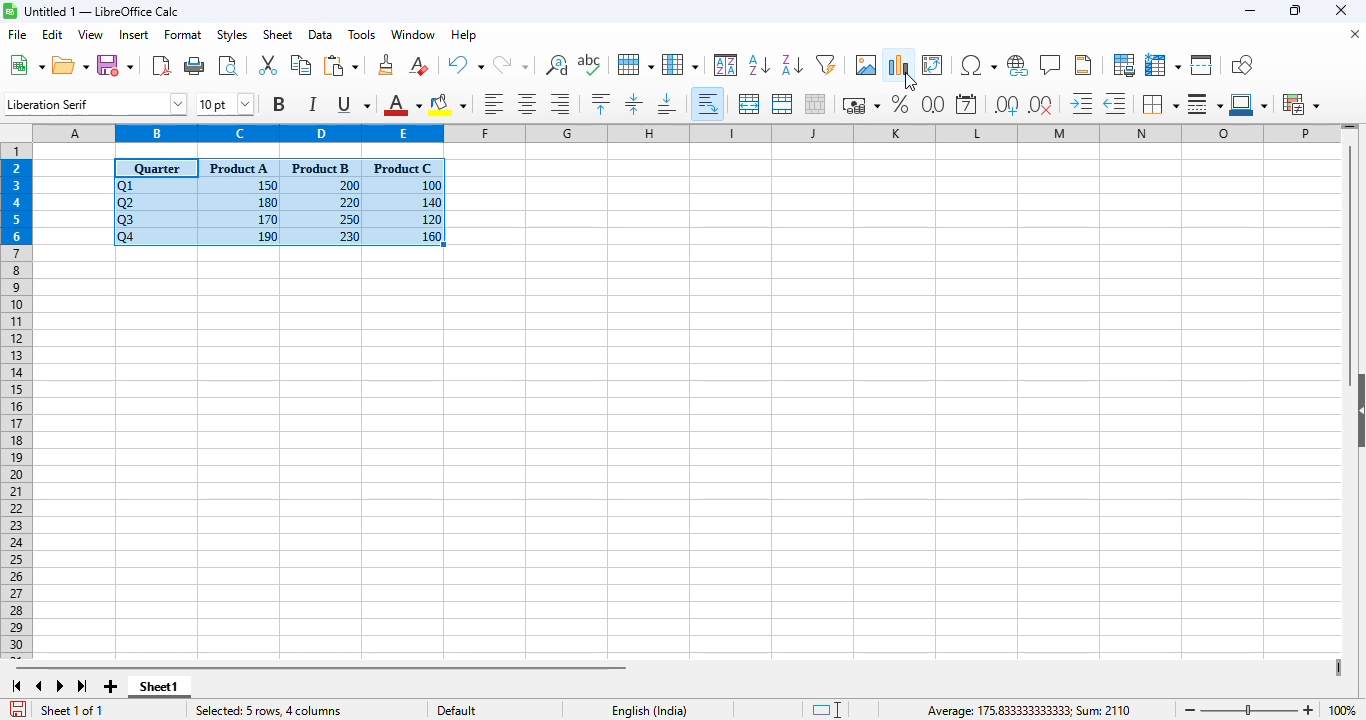  I want to click on scroll to previous sheet, so click(39, 686).